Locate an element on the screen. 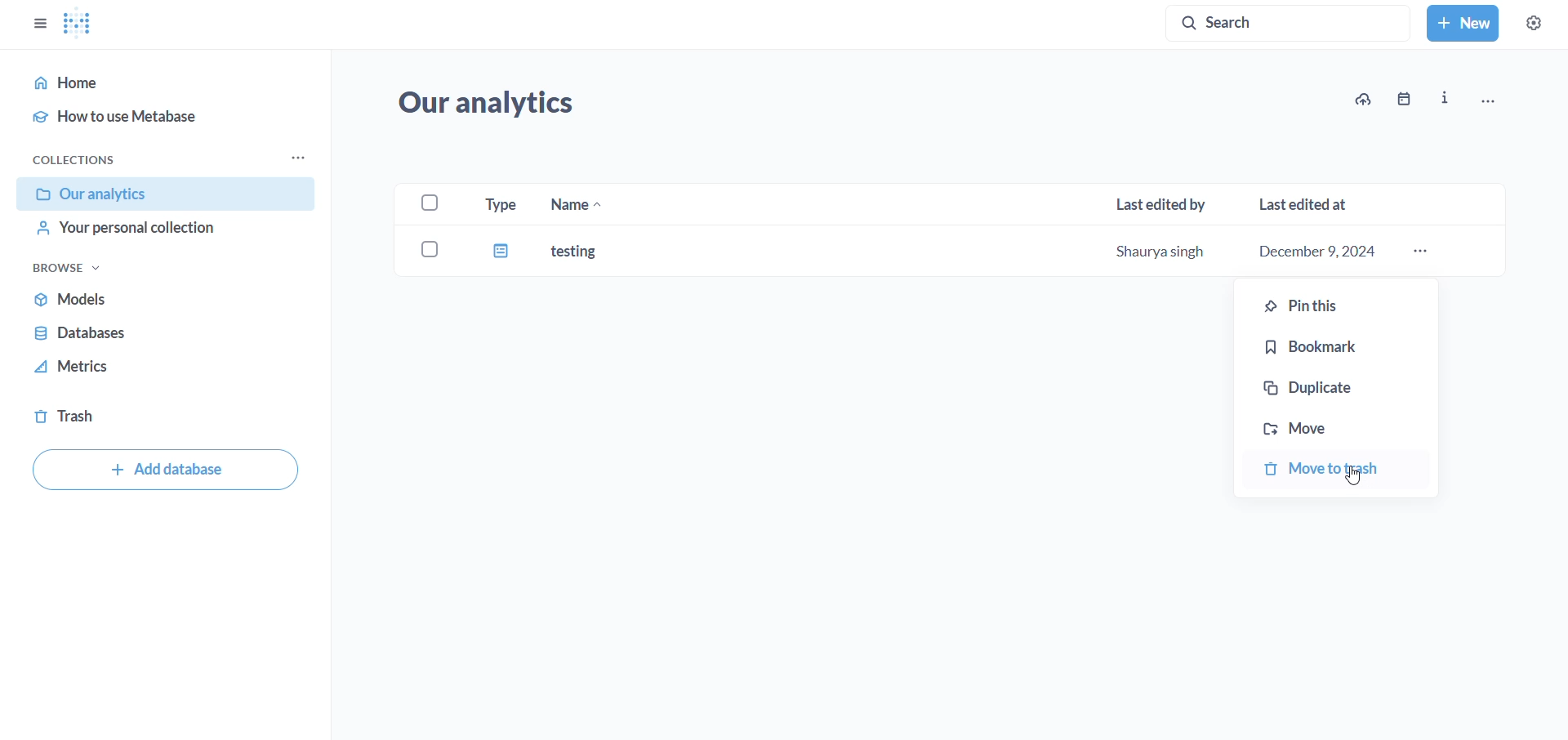 This screenshot has width=1568, height=740. upload is located at coordinates (1361, 99).